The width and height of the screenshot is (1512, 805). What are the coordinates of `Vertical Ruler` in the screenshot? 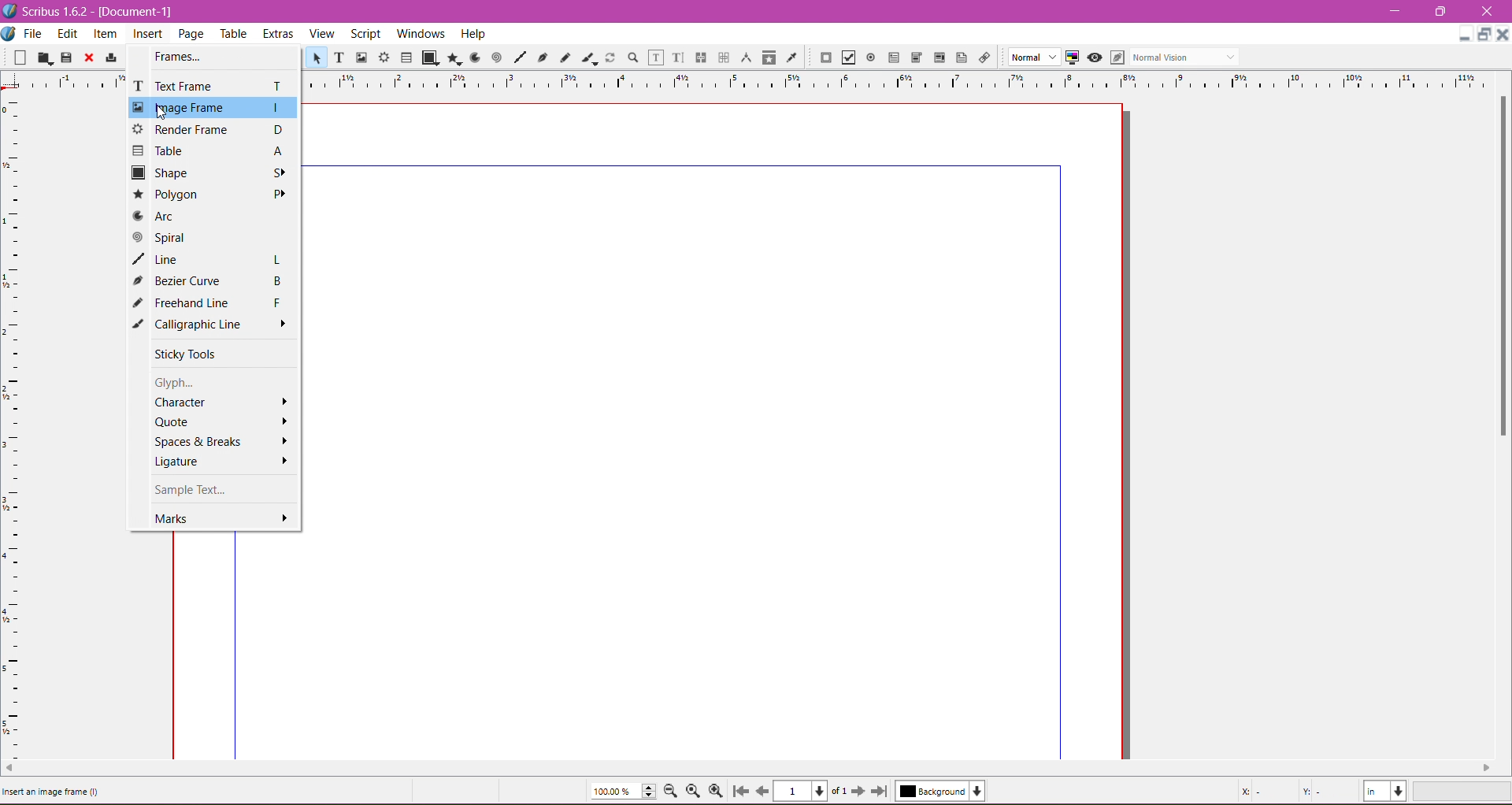 It's located at (13, 423).